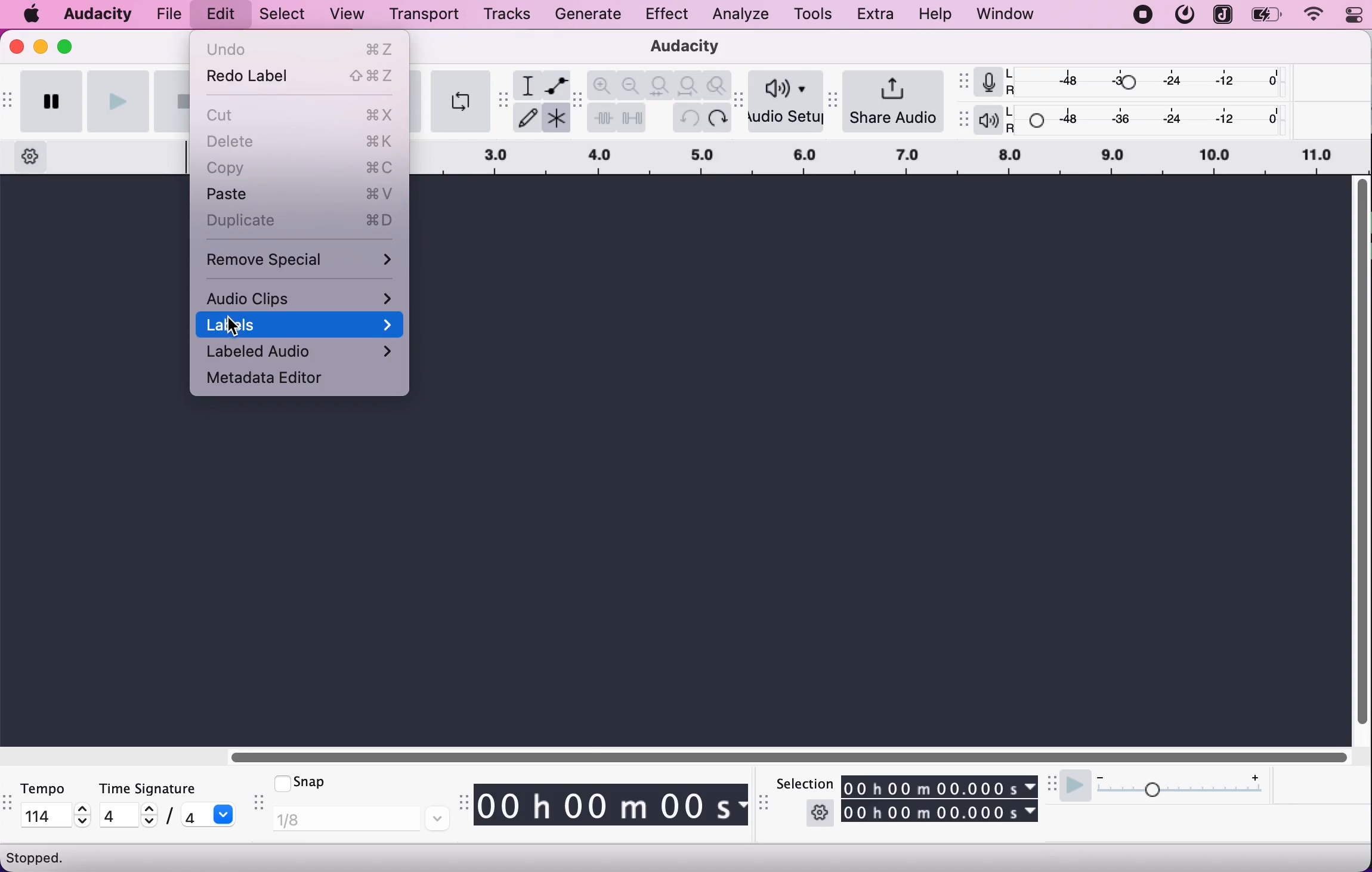  I want to click on checkmark, so click(280, 782).